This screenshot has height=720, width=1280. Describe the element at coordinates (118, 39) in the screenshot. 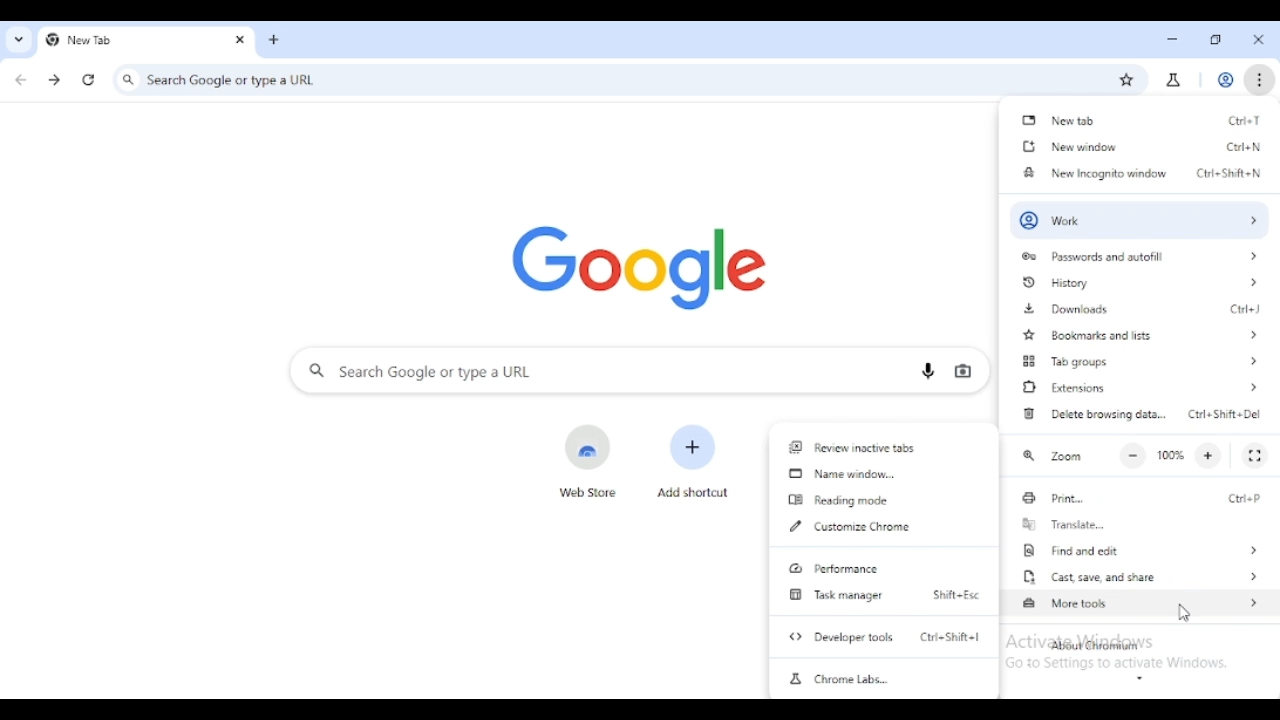

I see `new tab` at that location.